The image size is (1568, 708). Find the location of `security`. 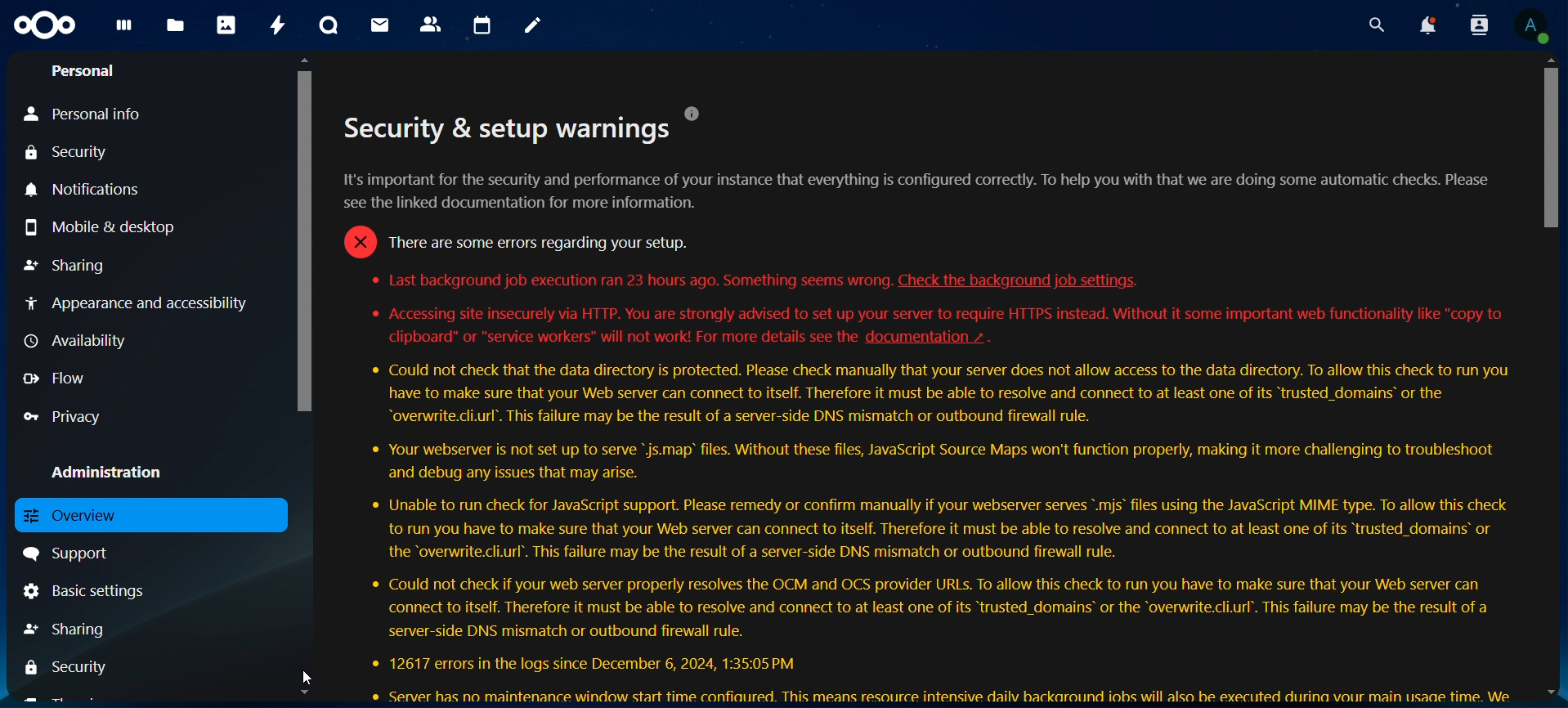

security is located at coordinates (65, 152).